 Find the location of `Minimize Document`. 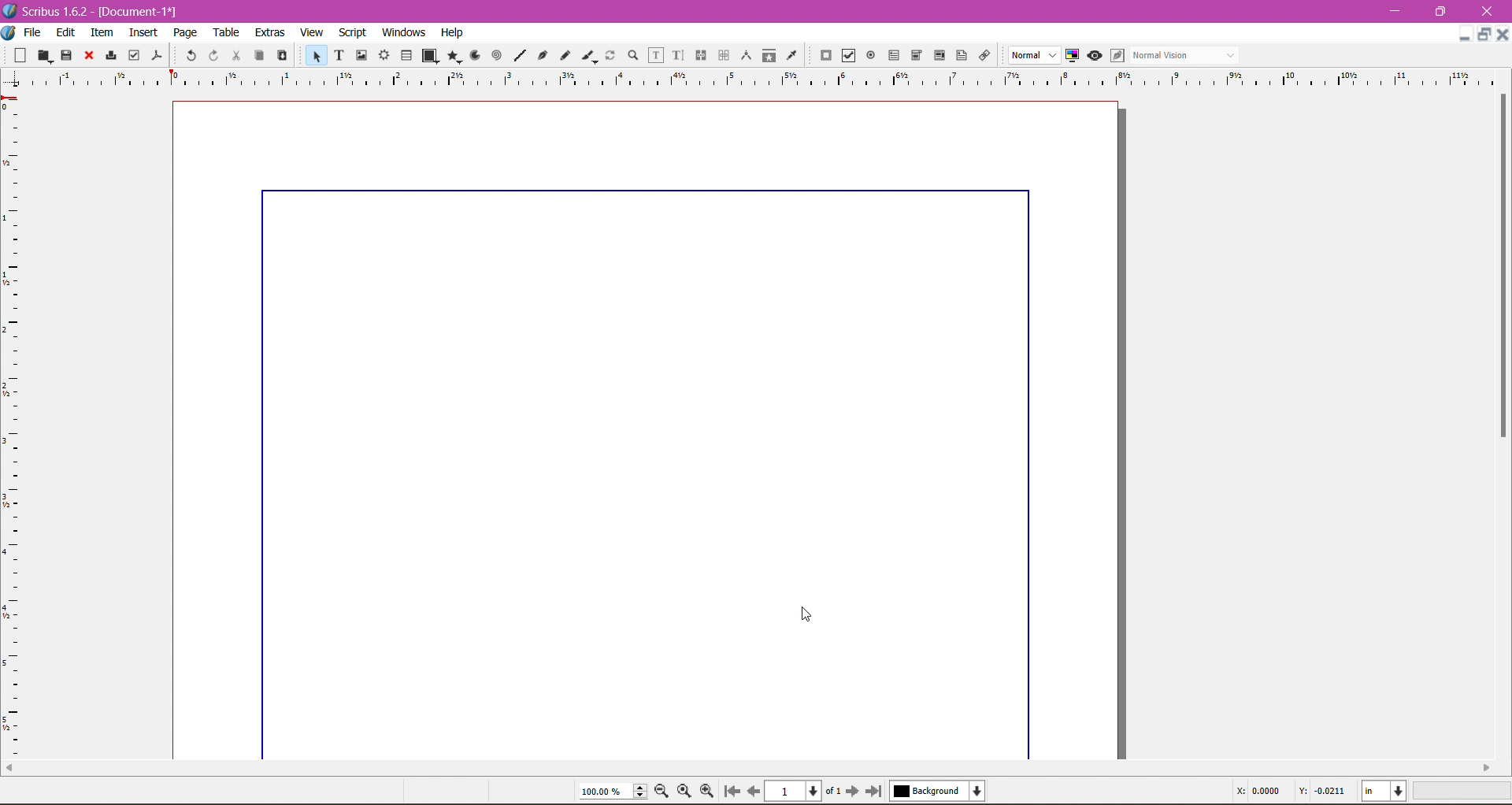

Minimize Document is located at coordinates (1466, 34).